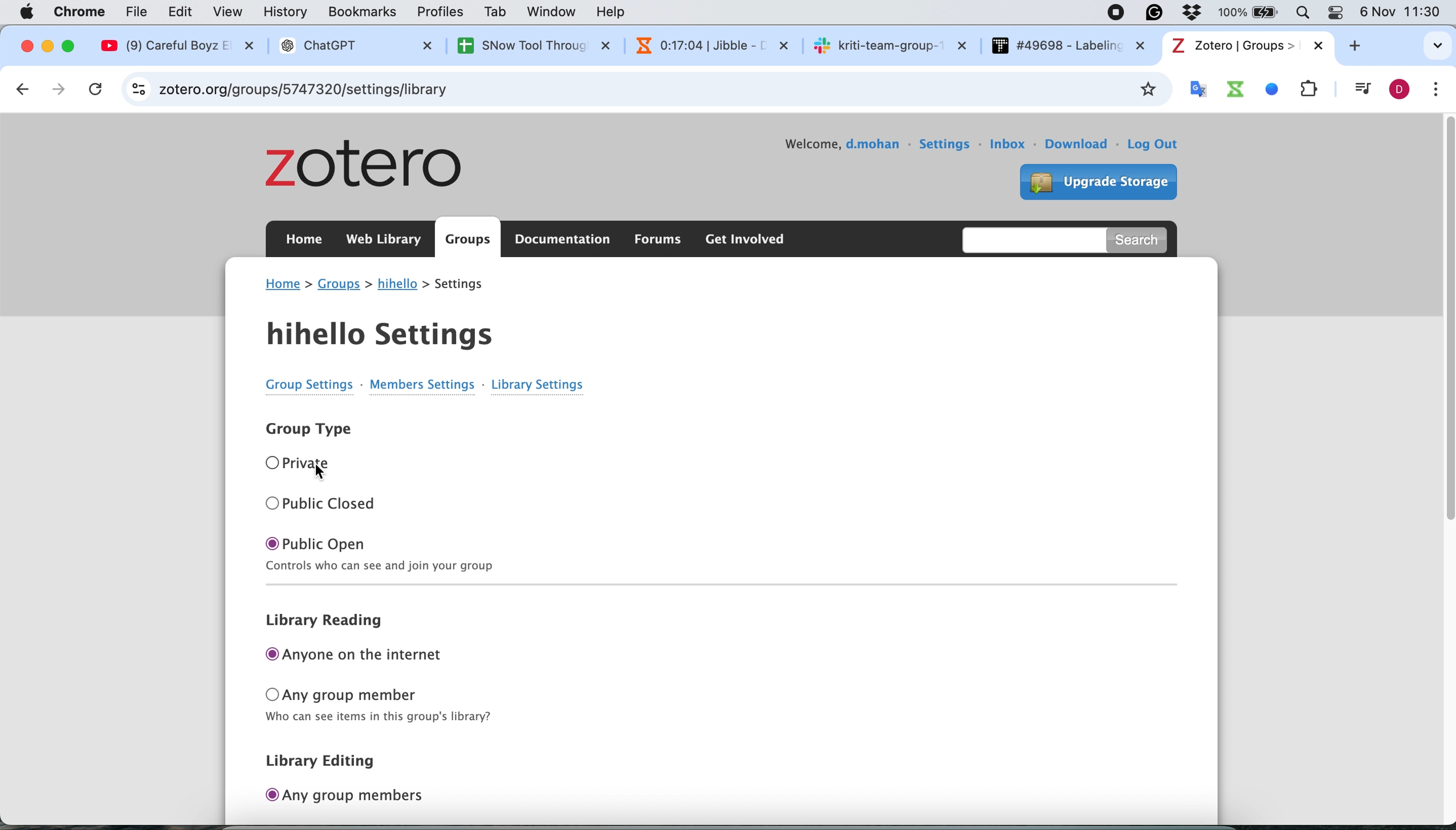  I want to click on search tabs, so click(1419, 41).